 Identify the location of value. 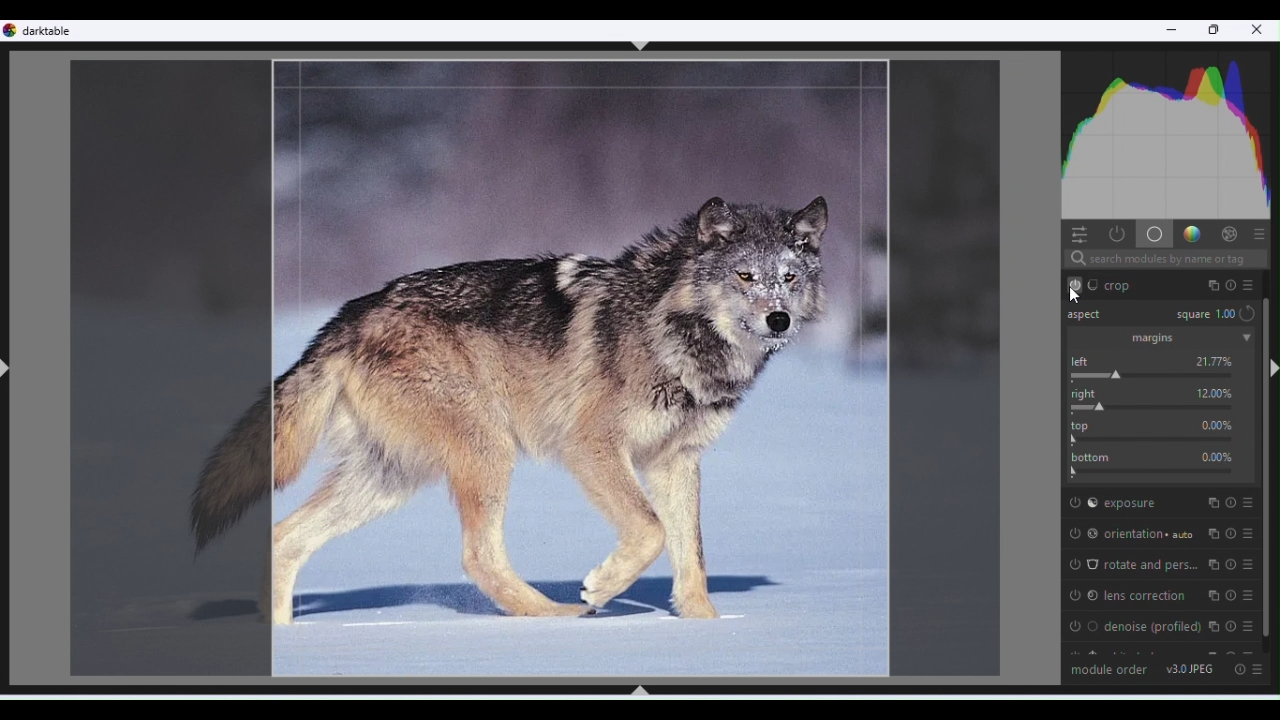
(1215, 361).